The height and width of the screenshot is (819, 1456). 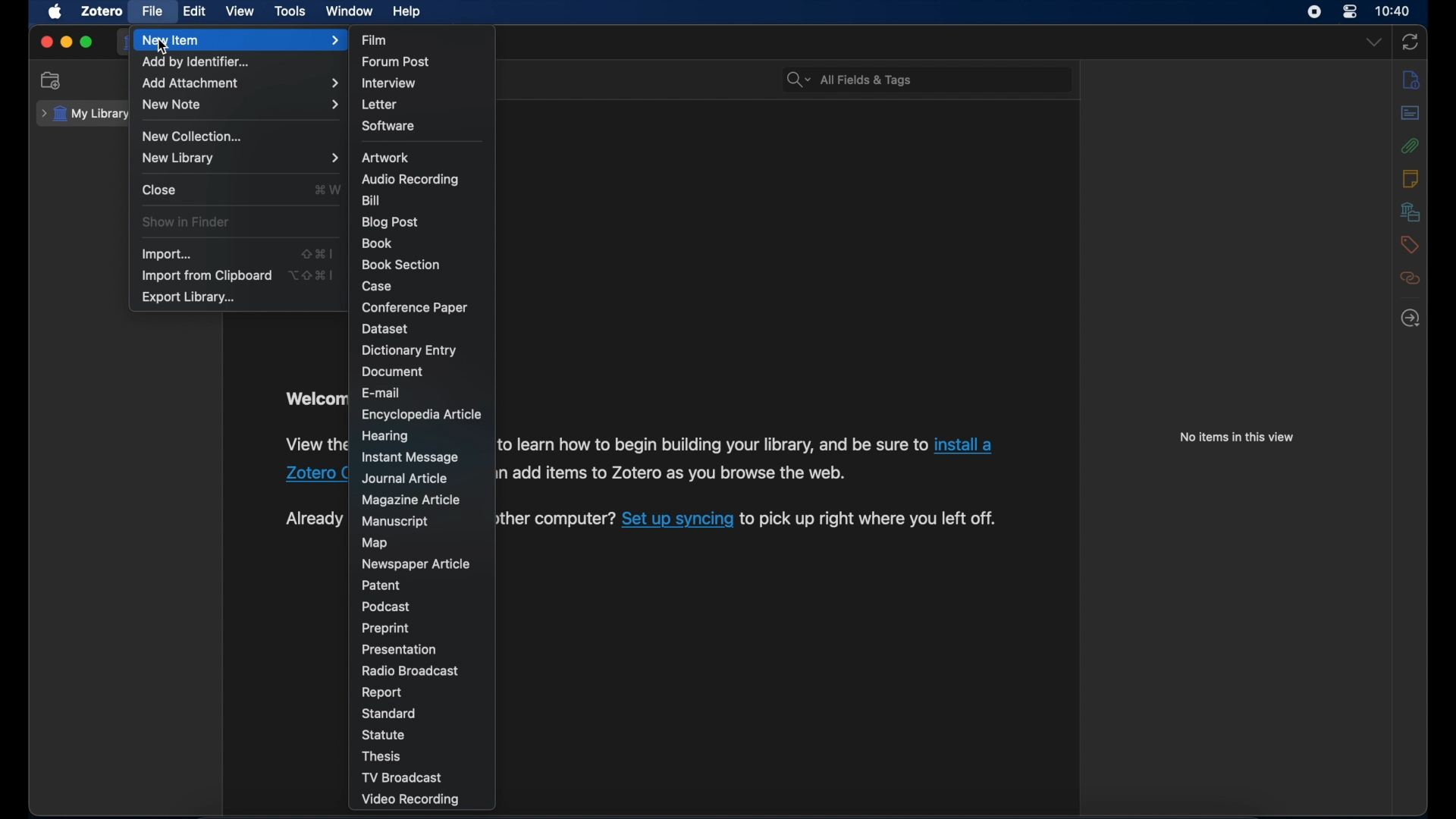 I want to click on film, so click(x=375, y=39).